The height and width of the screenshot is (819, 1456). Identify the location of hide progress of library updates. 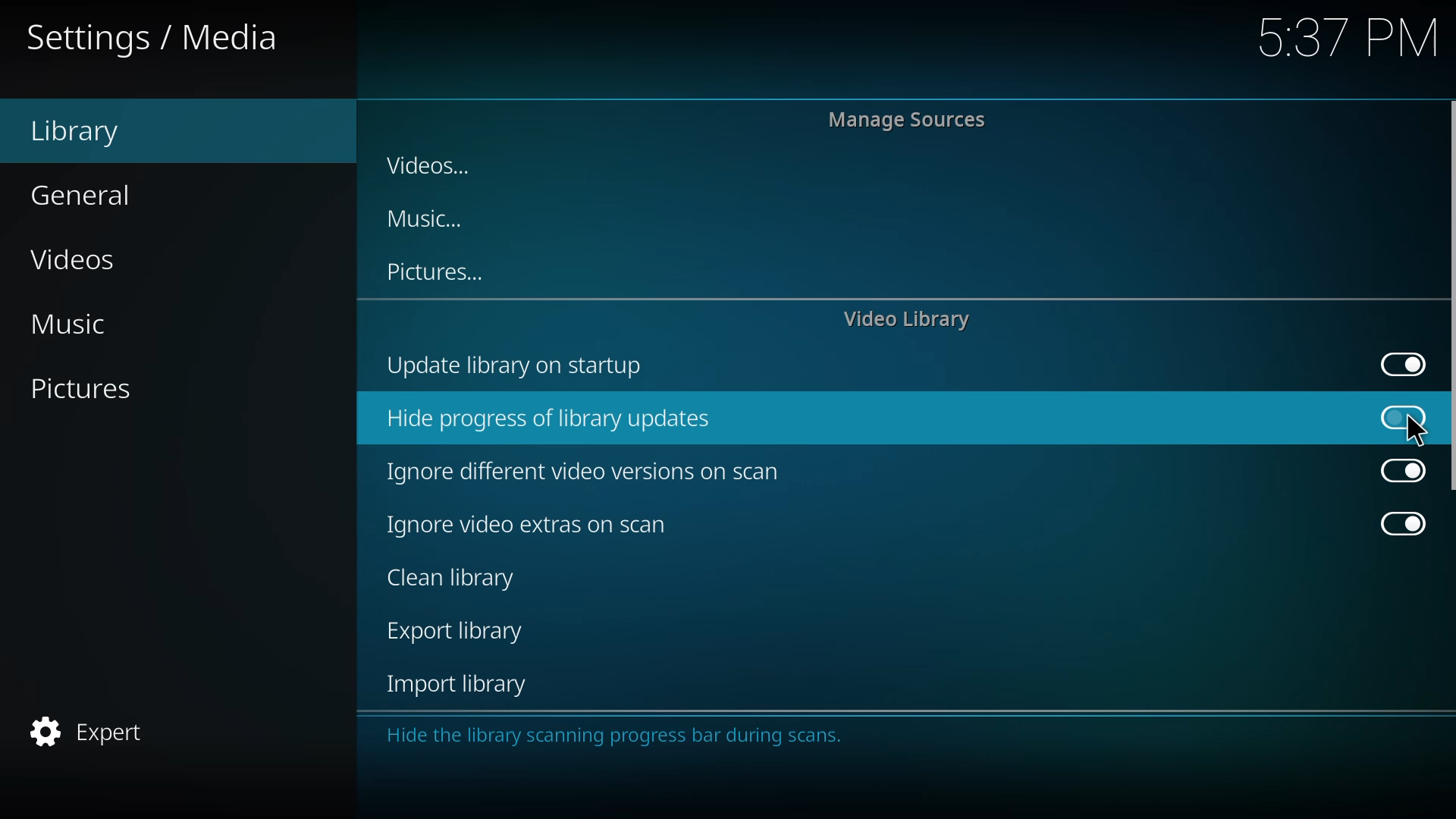
(560, 421).